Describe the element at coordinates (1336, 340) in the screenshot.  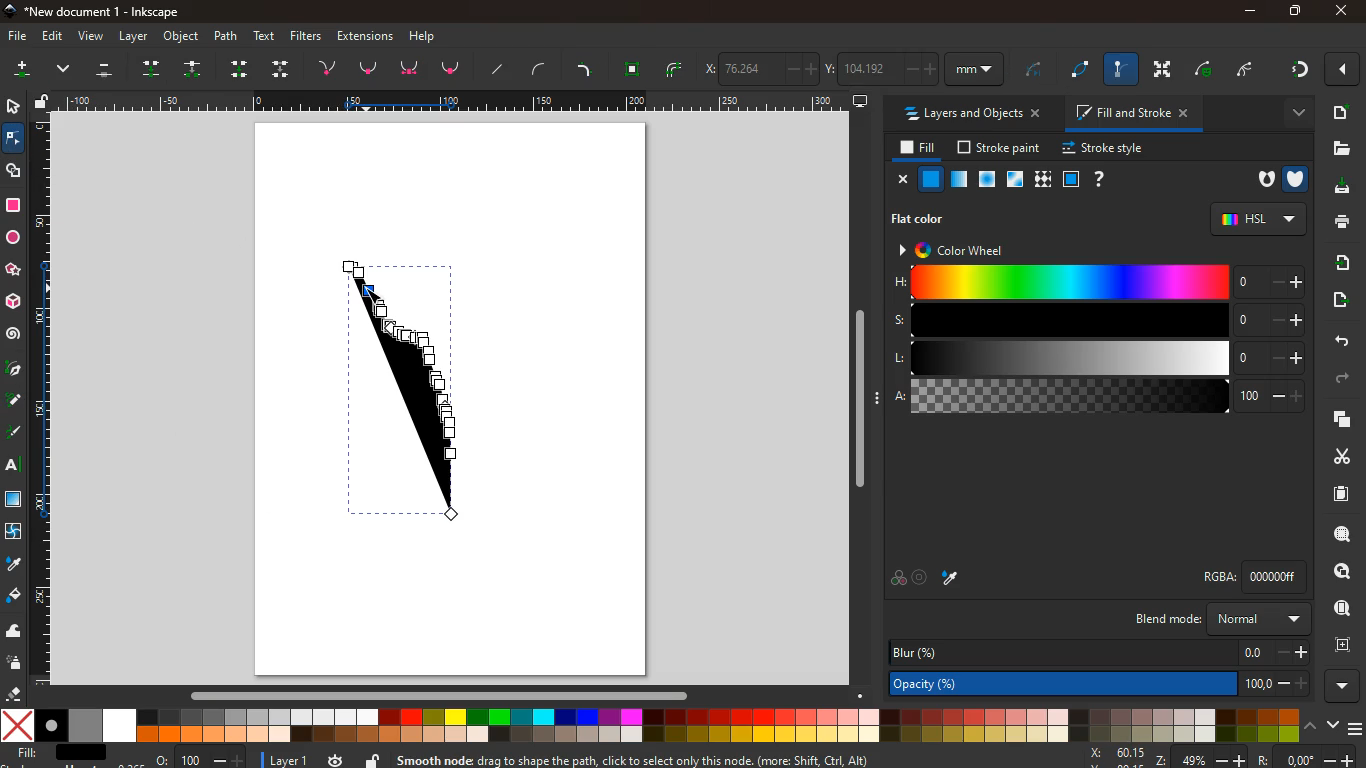
I see `back` at that location.